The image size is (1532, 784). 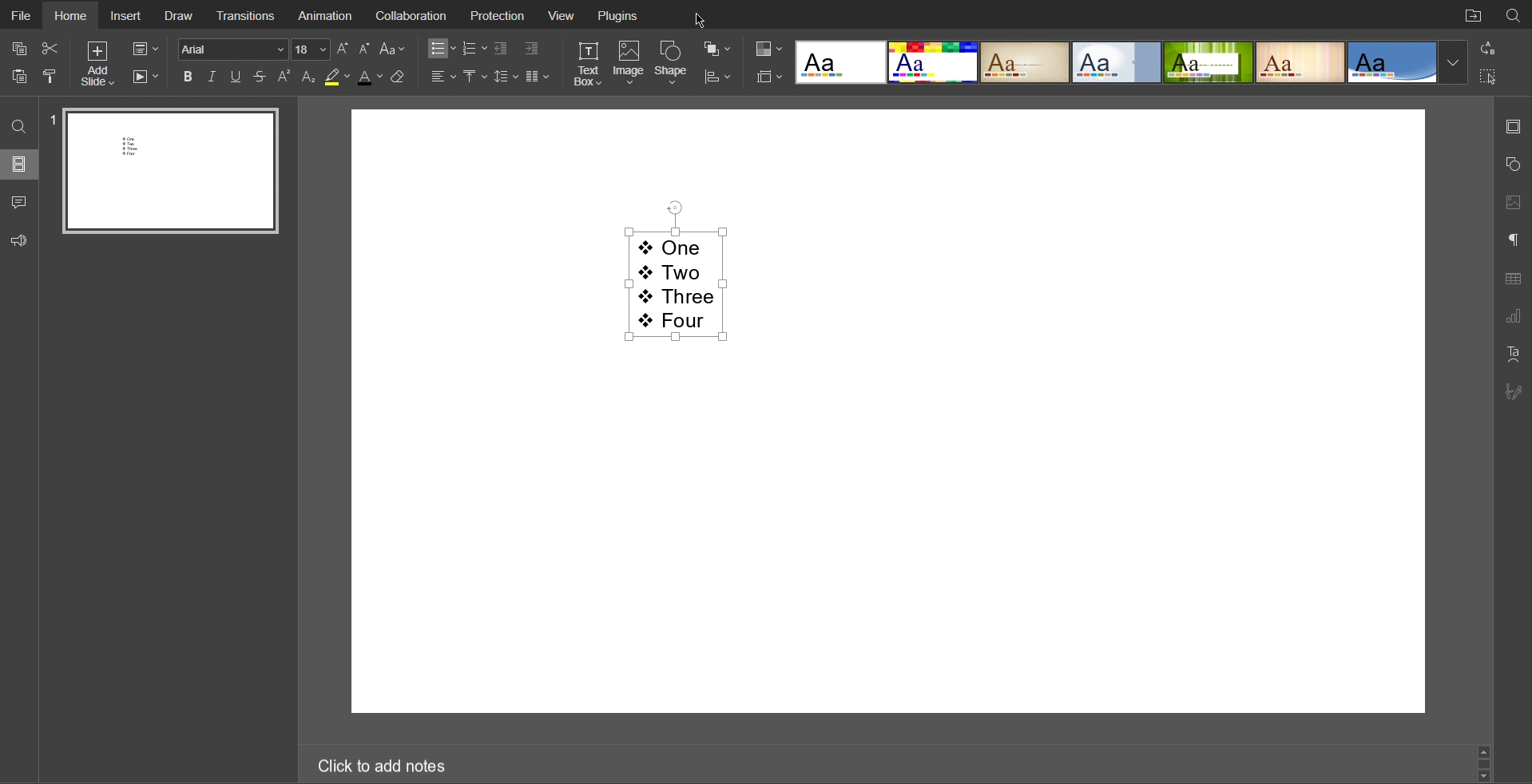 What do you see at coordinates (629, 66) in the screenshot?
I see `Image` at bounding box center [629, 66].